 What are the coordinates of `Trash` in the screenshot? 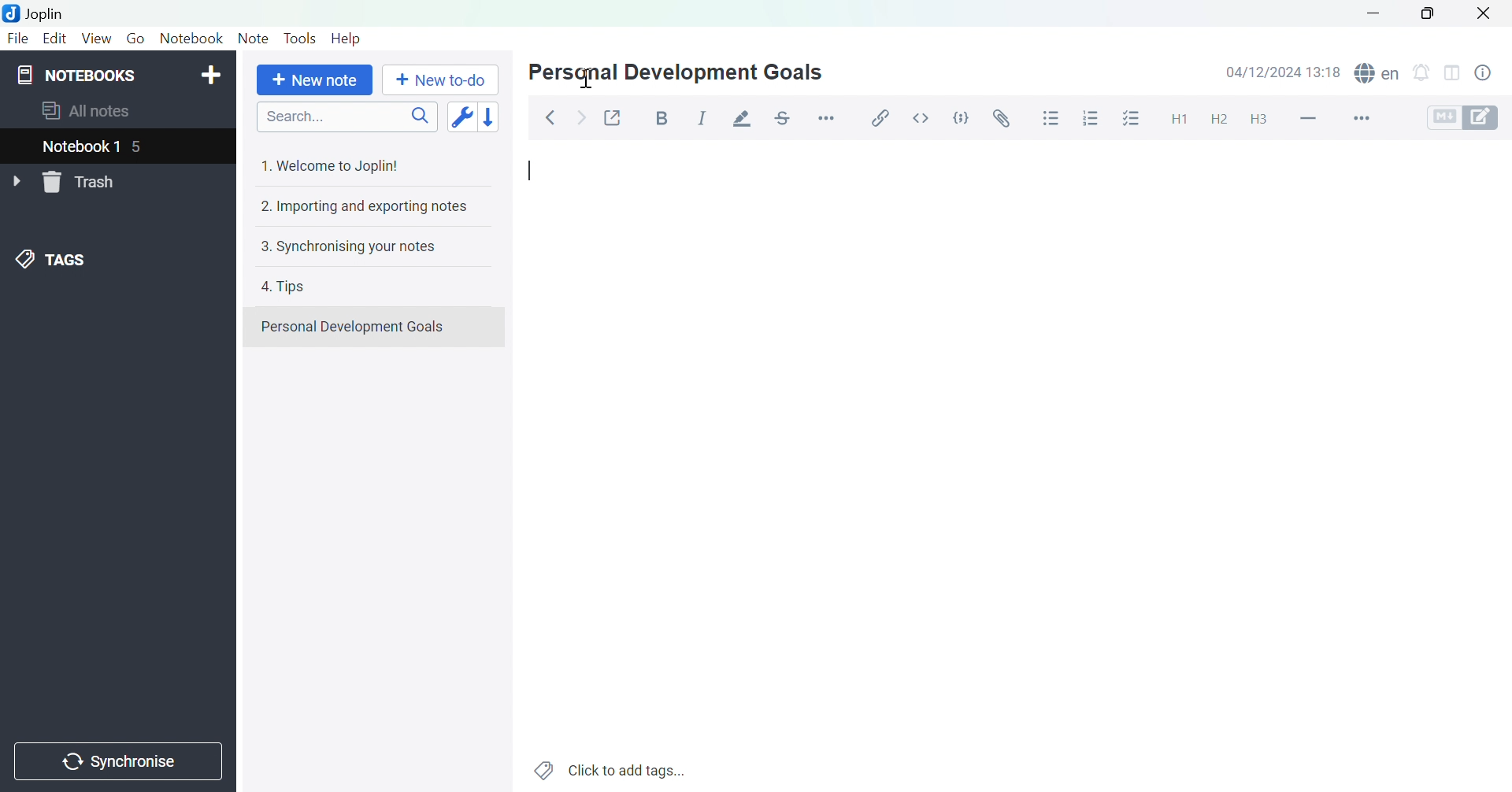 It's located at (82, 183).